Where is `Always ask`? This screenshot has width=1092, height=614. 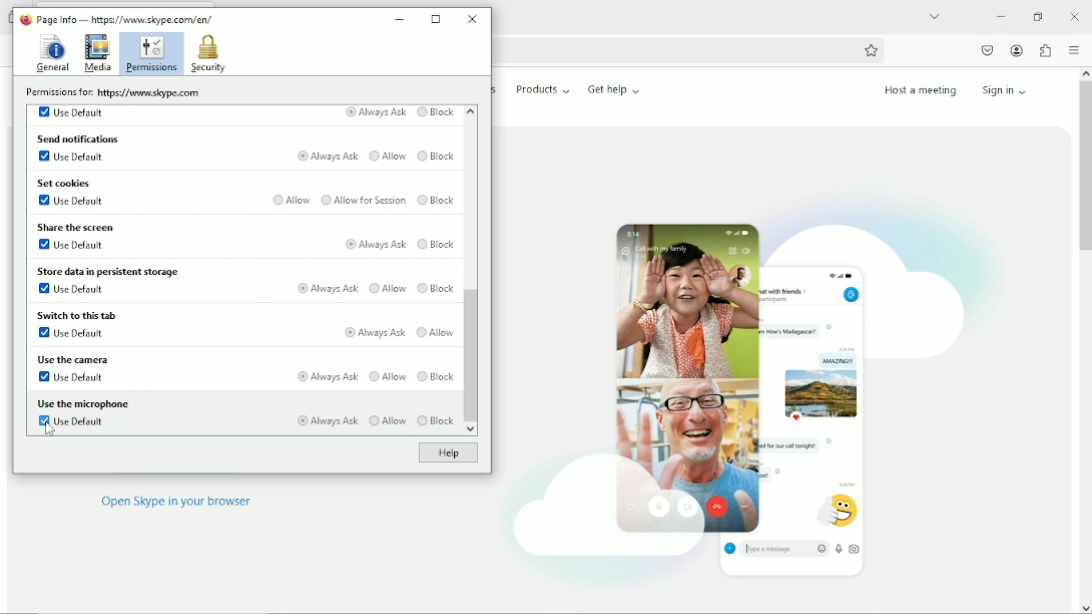
Always ask is located at coordinates (375, 332).